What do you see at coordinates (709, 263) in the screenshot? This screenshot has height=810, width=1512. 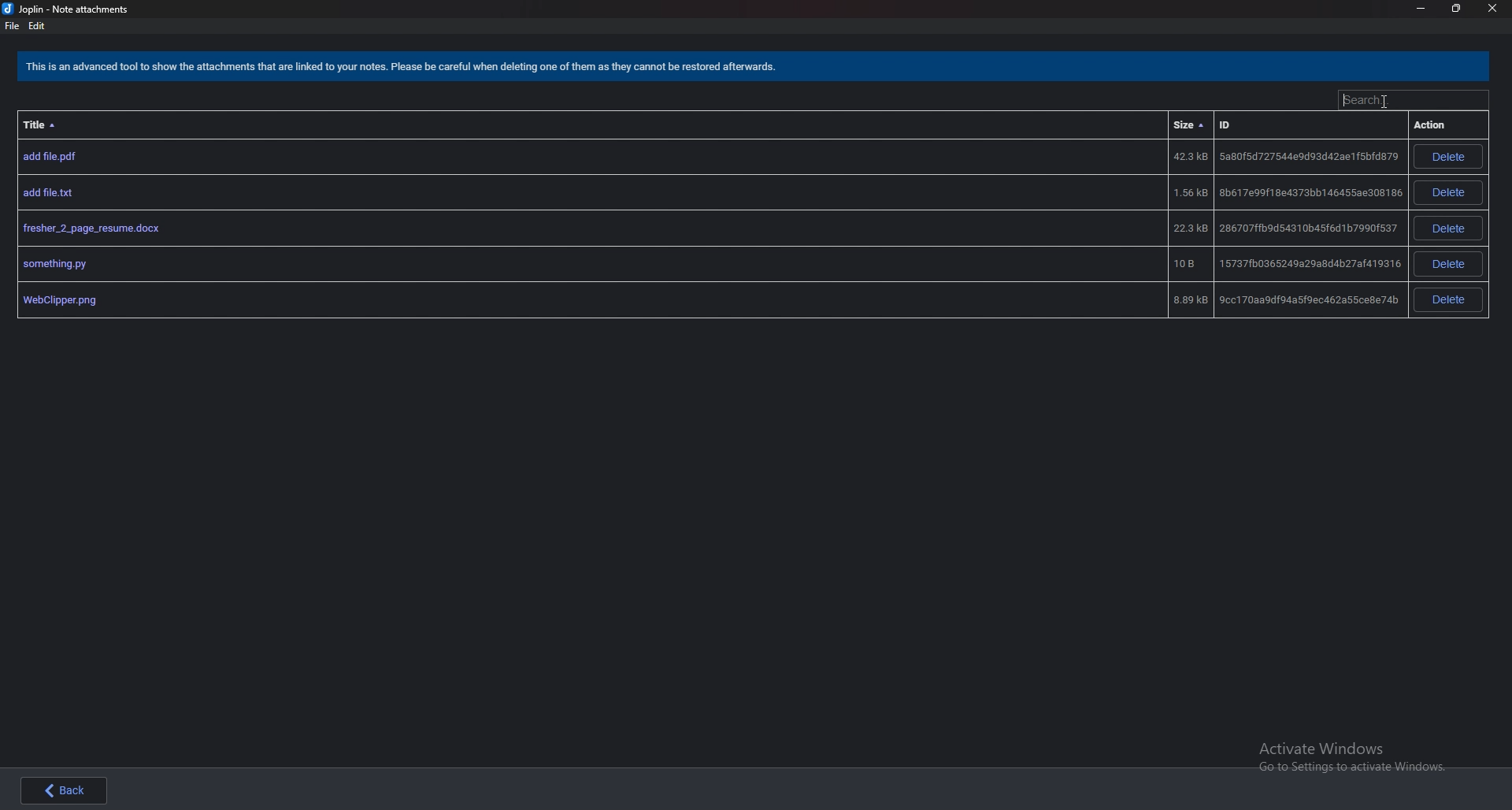 I see `attachment` at bounding box center [709, 263].